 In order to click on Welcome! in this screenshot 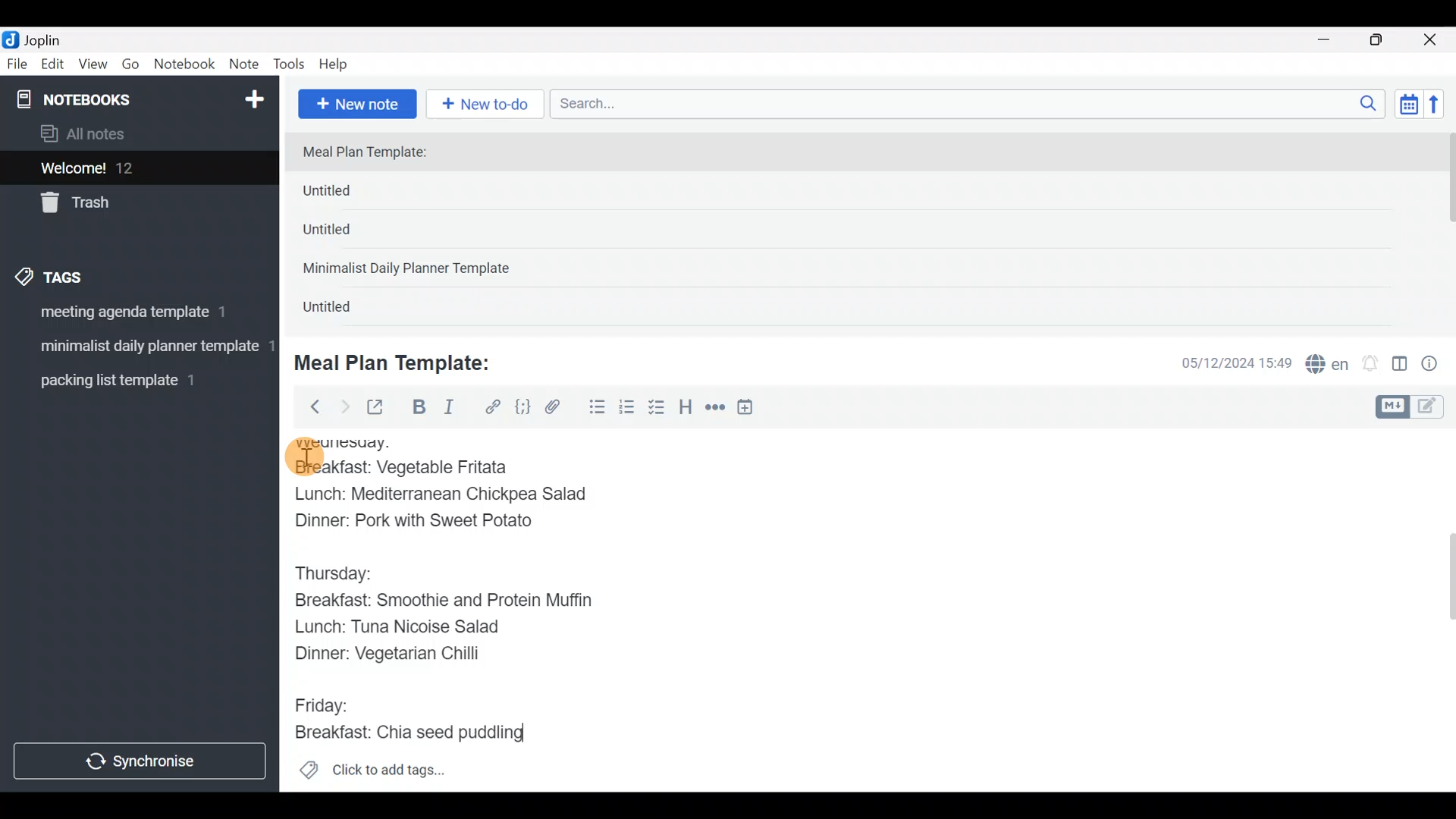, I will do `click(137, 169)`.